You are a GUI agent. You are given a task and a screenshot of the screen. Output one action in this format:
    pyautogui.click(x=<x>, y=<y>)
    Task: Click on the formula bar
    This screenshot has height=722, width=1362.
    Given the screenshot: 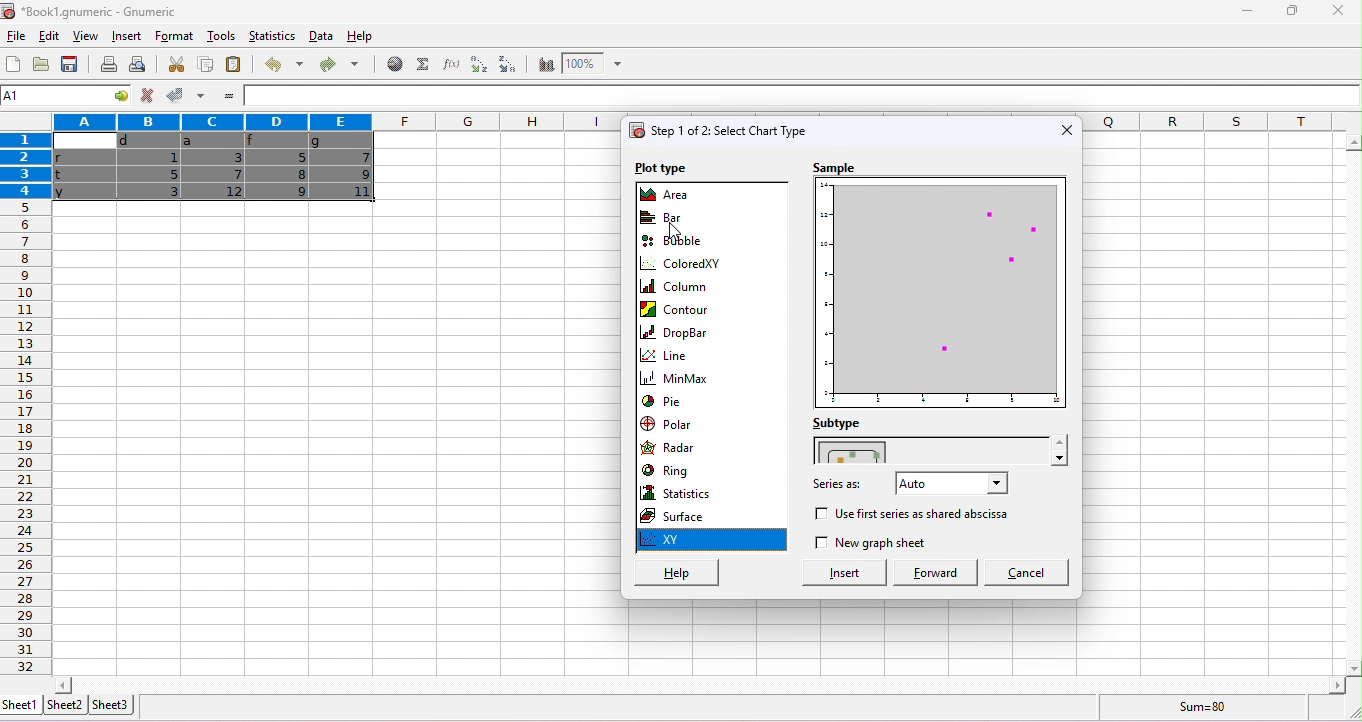 What is the action you would take?
    pyautogui.click(x=803, y=95)
    